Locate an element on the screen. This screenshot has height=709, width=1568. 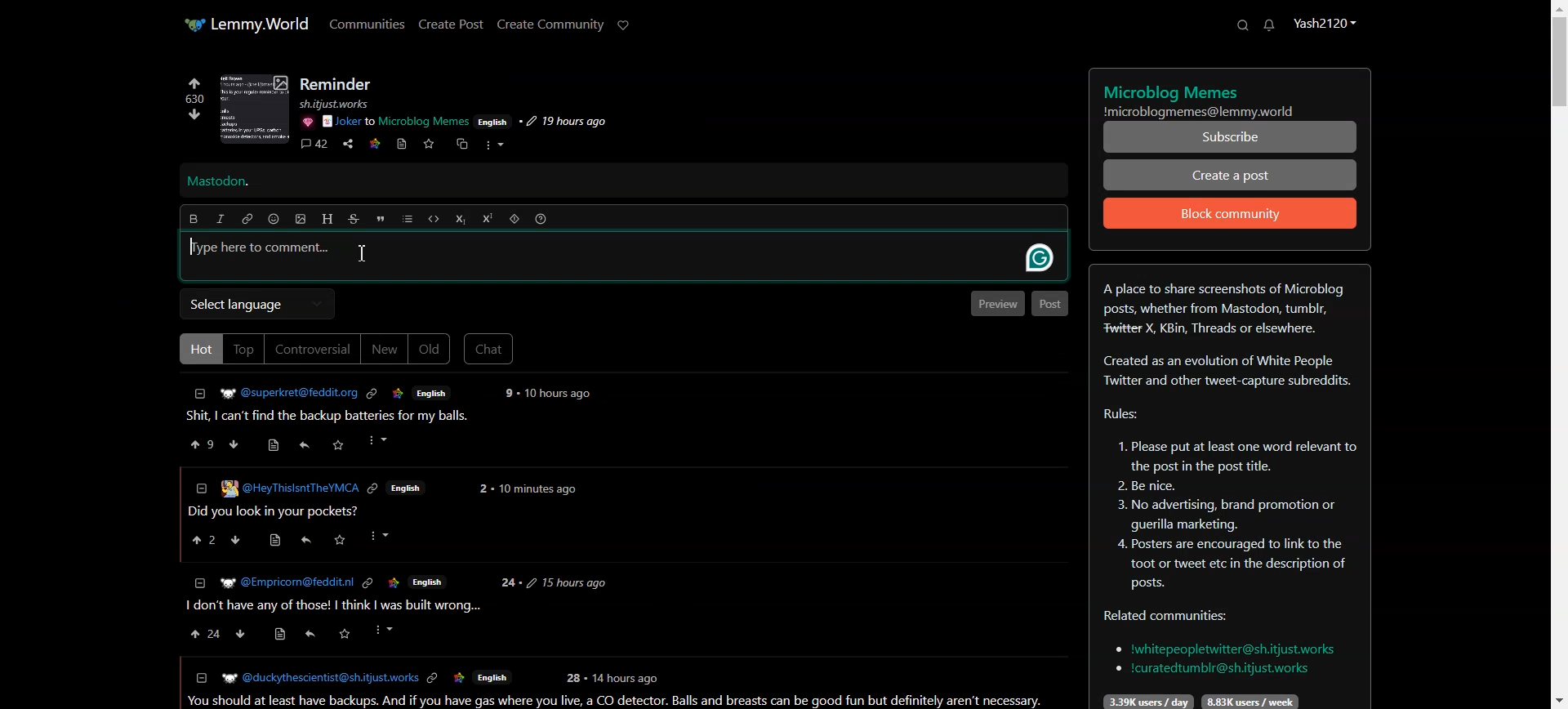
RB @HeyThislsntTheYMCA @ is located at coordinates (290, 487).